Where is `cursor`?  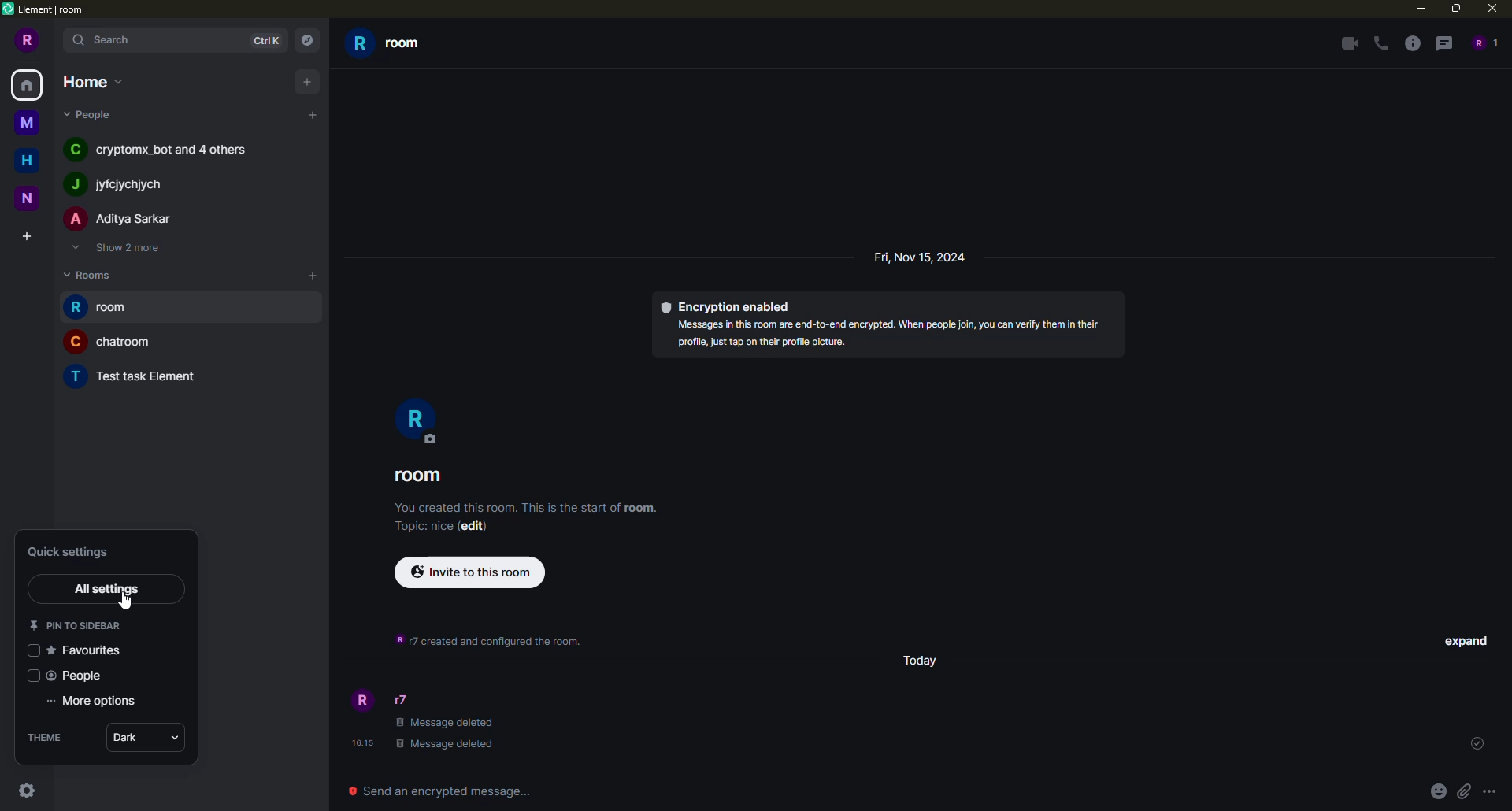 cursor is located at coordinates (125, 602).